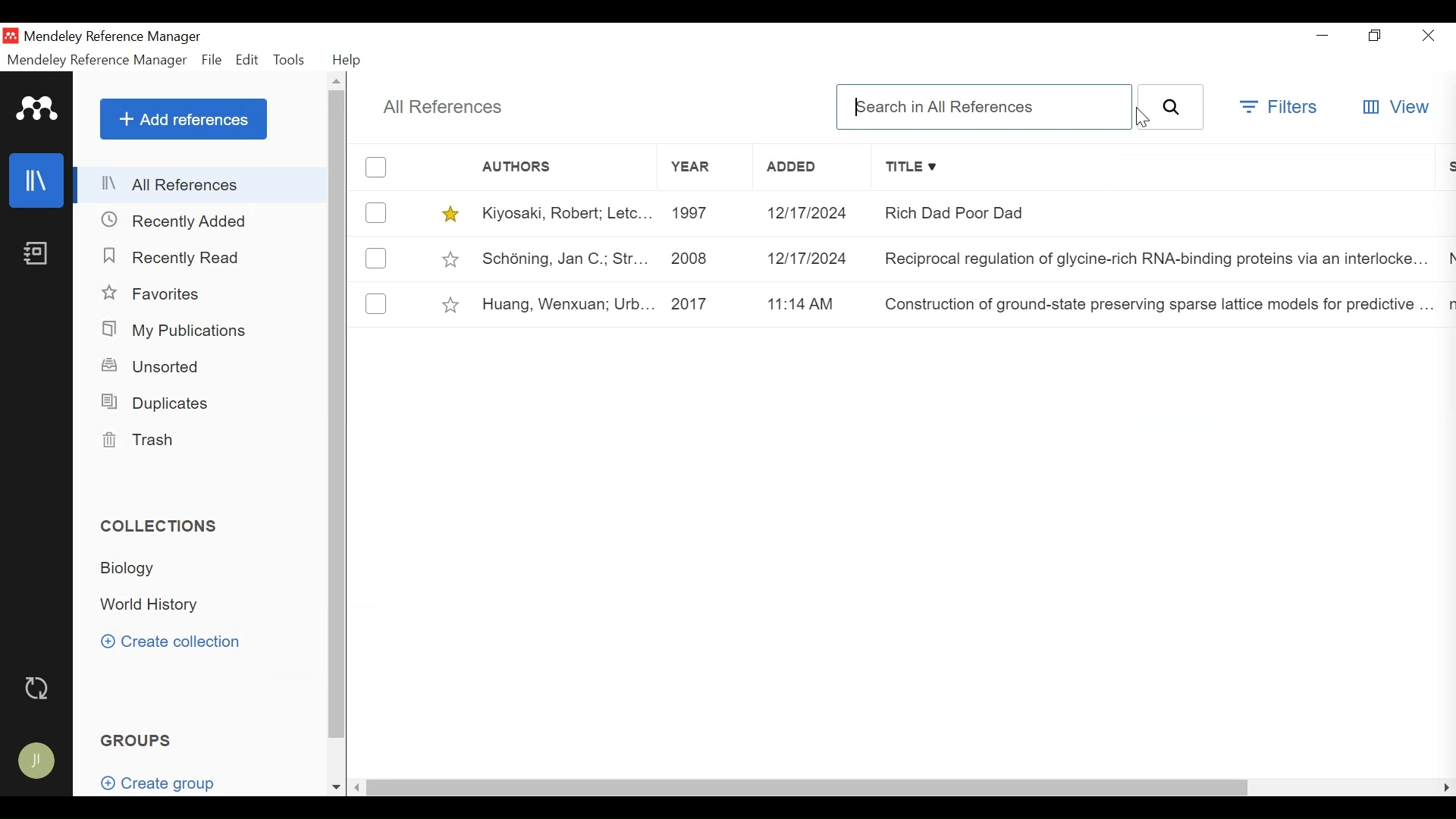  What do you see at coordinates (38, 108) in the screenshot?
I see `Mendeley Logo` at bounding box center [38, 108].